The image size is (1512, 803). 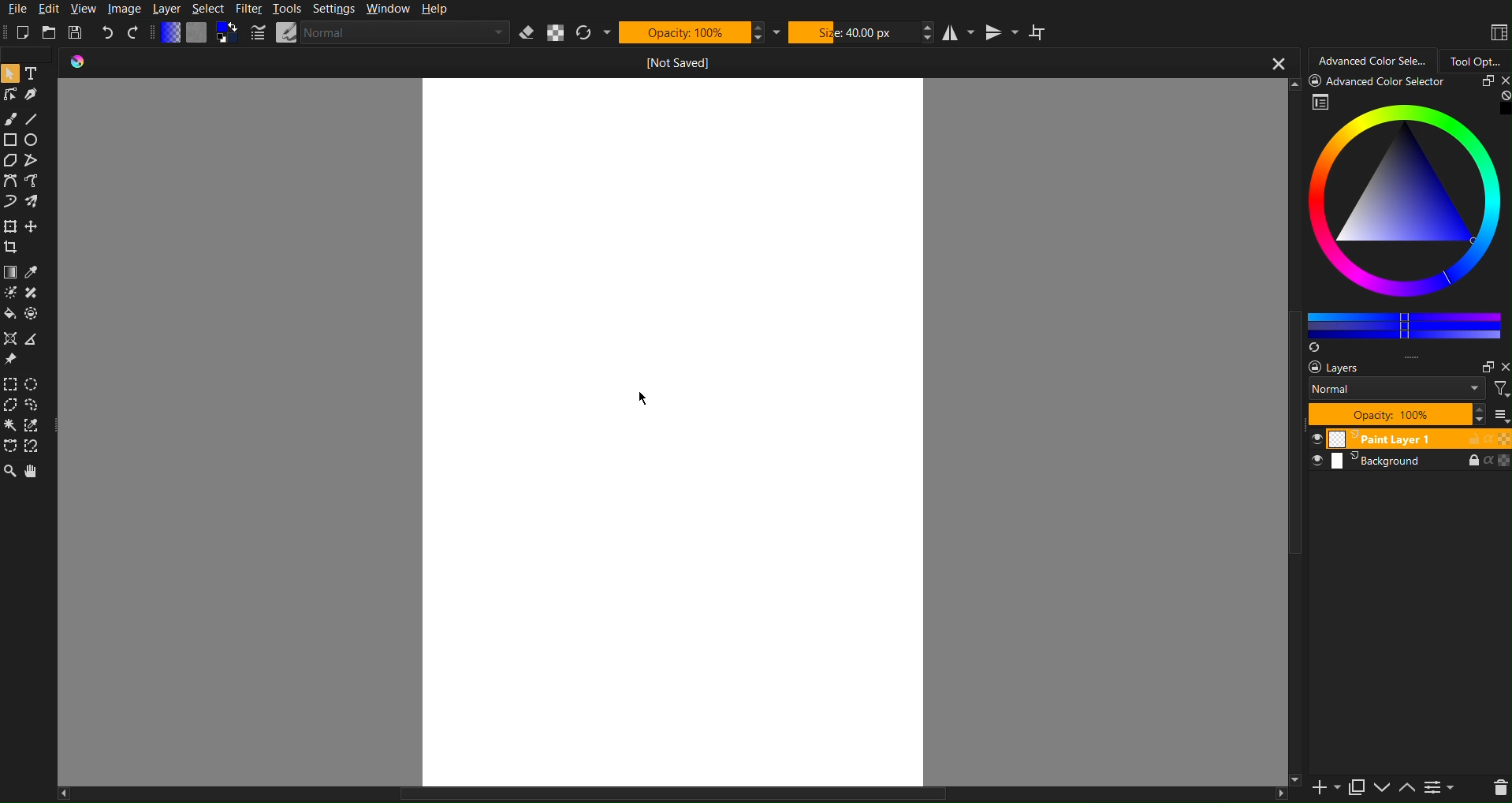 I want to click on Selection Tools, so click(x=28, y=237).